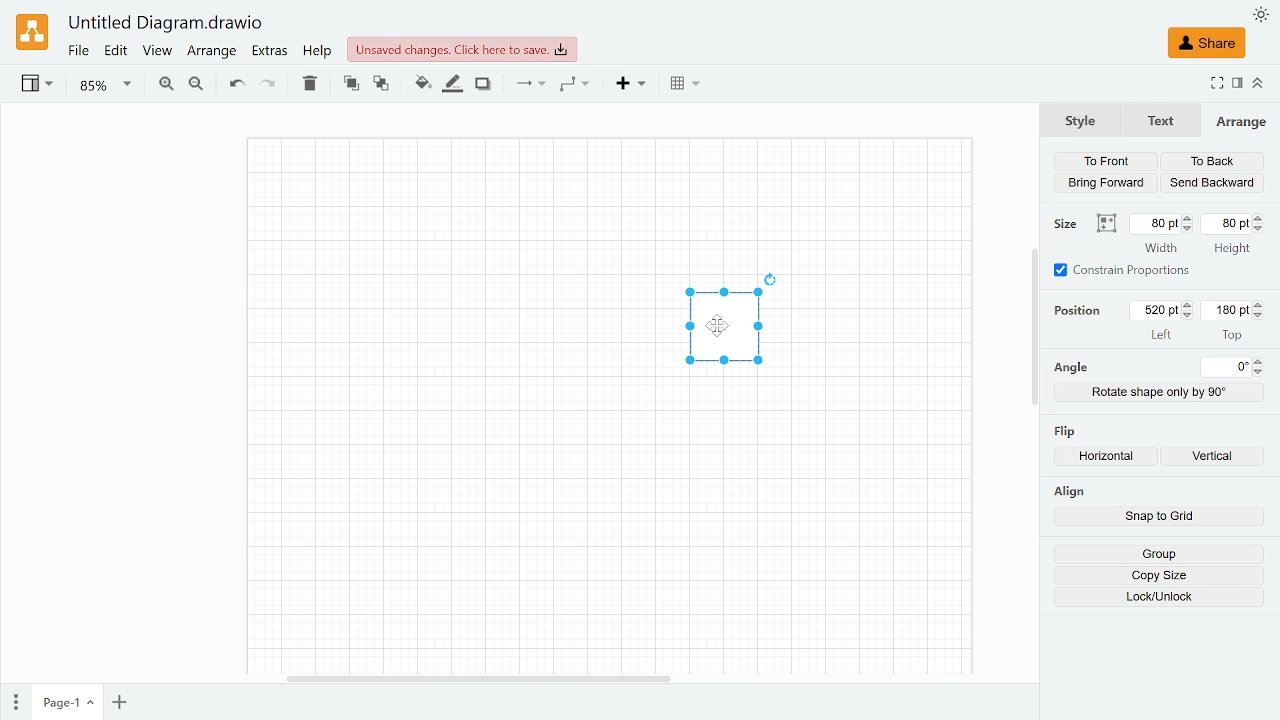 The image size is (1280, 720). What do you see at coordinates (1108, 182) in the screenshot?
I see `Bring forward` at bounding box center [1108, 182].